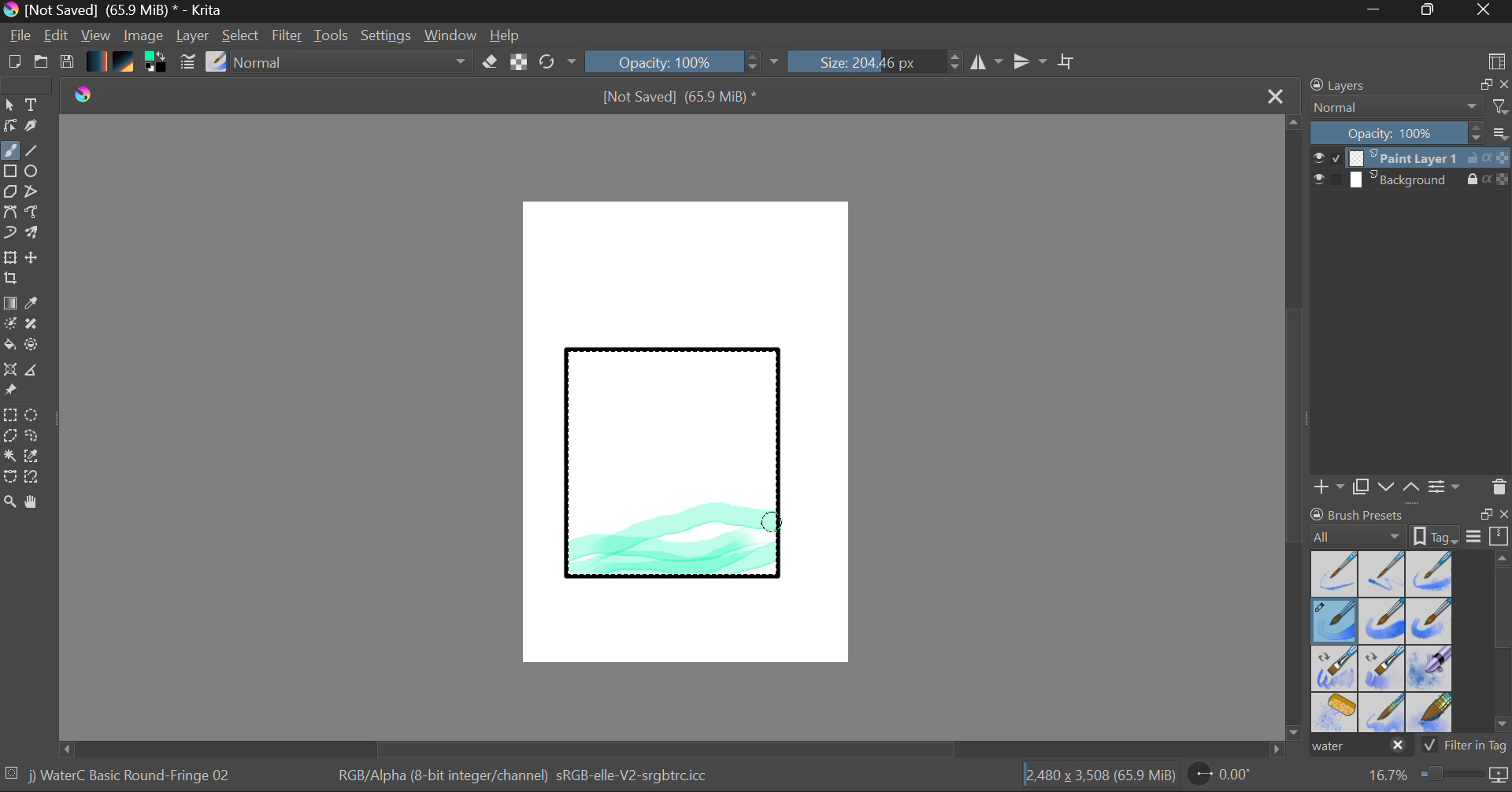  I want to click on Zoom, so click(1436, 775).